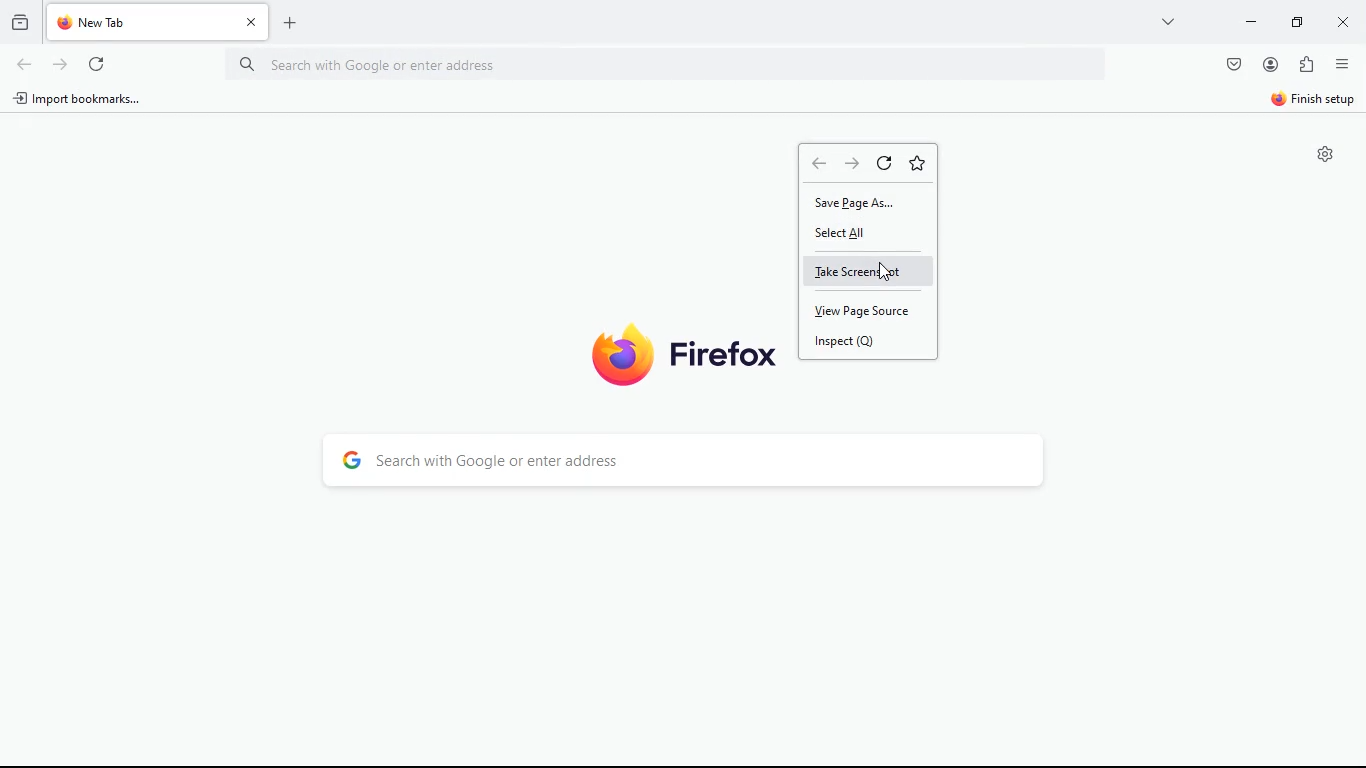 The image size is (1366, 768). Describe the element at coordinates (887, 163) in the screenshot. I see `refresh` at that location.